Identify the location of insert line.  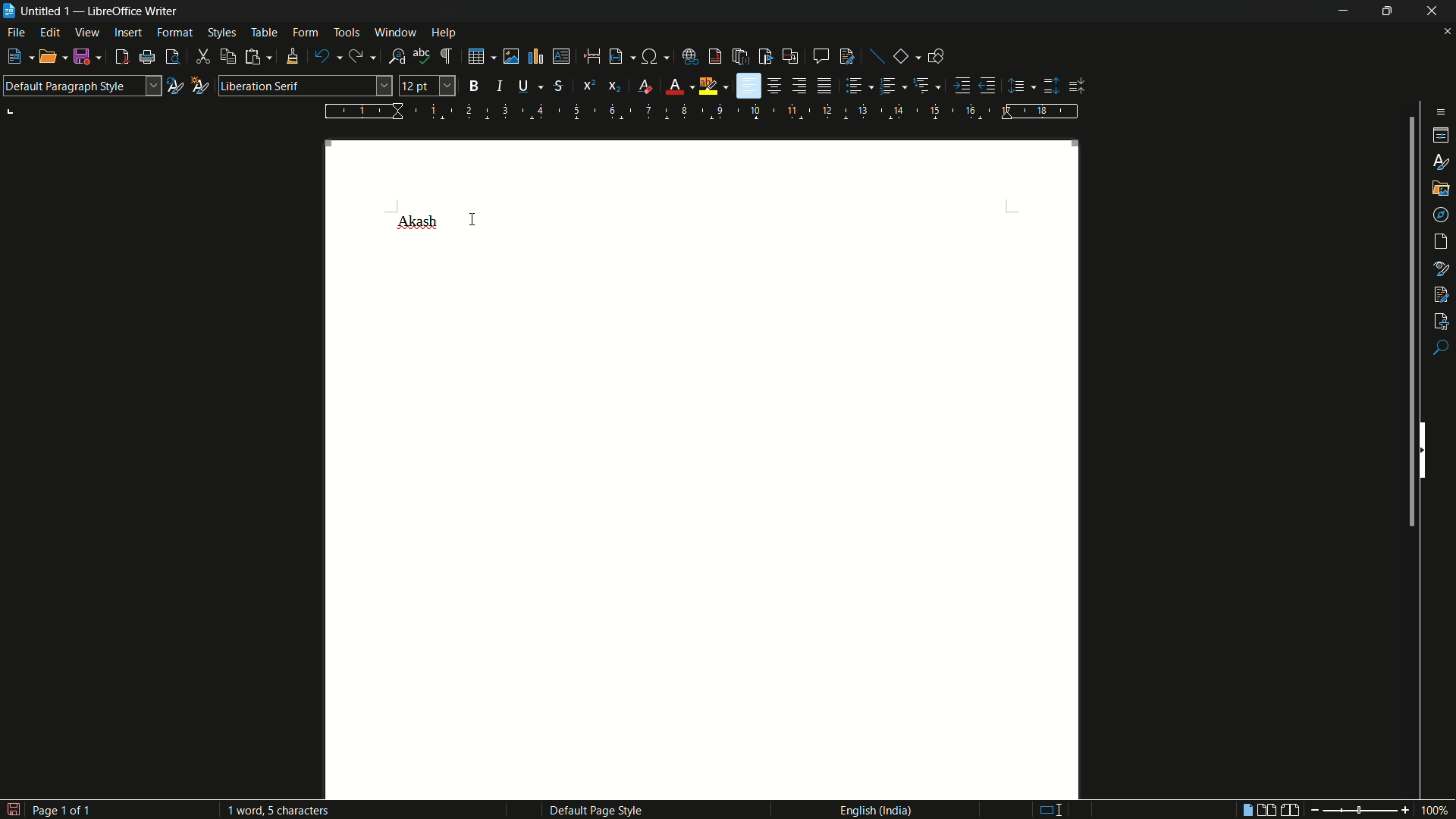
(878, 58).